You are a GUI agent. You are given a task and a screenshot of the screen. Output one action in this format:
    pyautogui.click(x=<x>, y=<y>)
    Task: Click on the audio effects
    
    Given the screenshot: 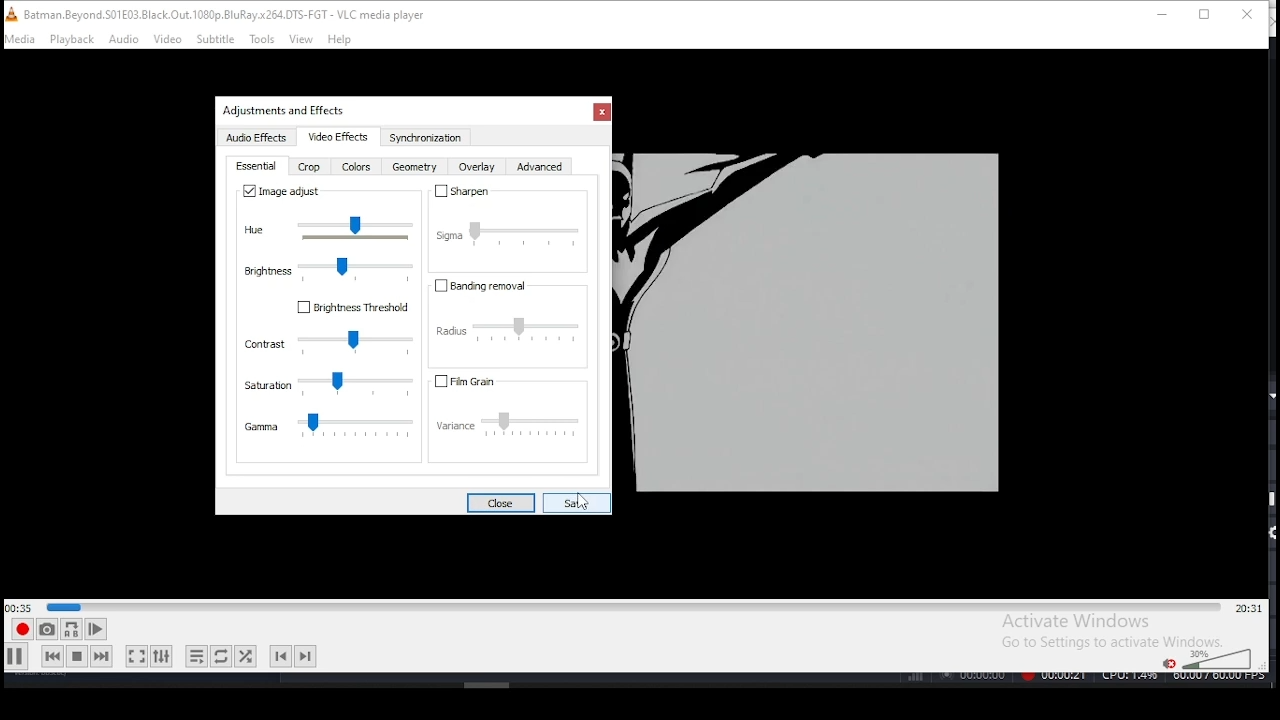 What is the action you would take?
    pyautogui.click(x=259, y=139)
    